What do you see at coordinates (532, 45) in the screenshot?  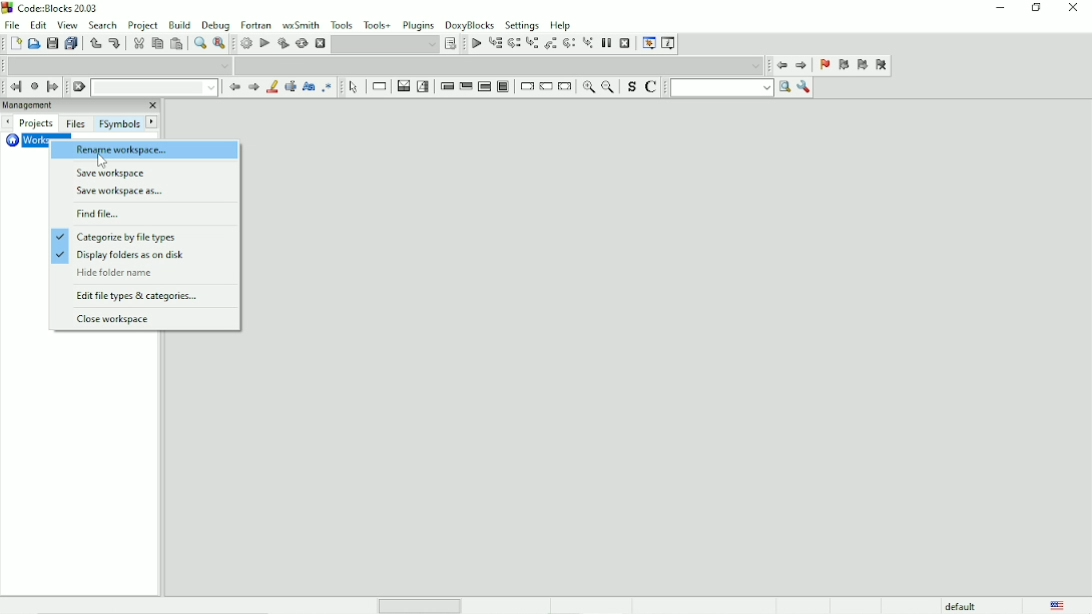 I see `Step into` at bounding box center [532, 45].